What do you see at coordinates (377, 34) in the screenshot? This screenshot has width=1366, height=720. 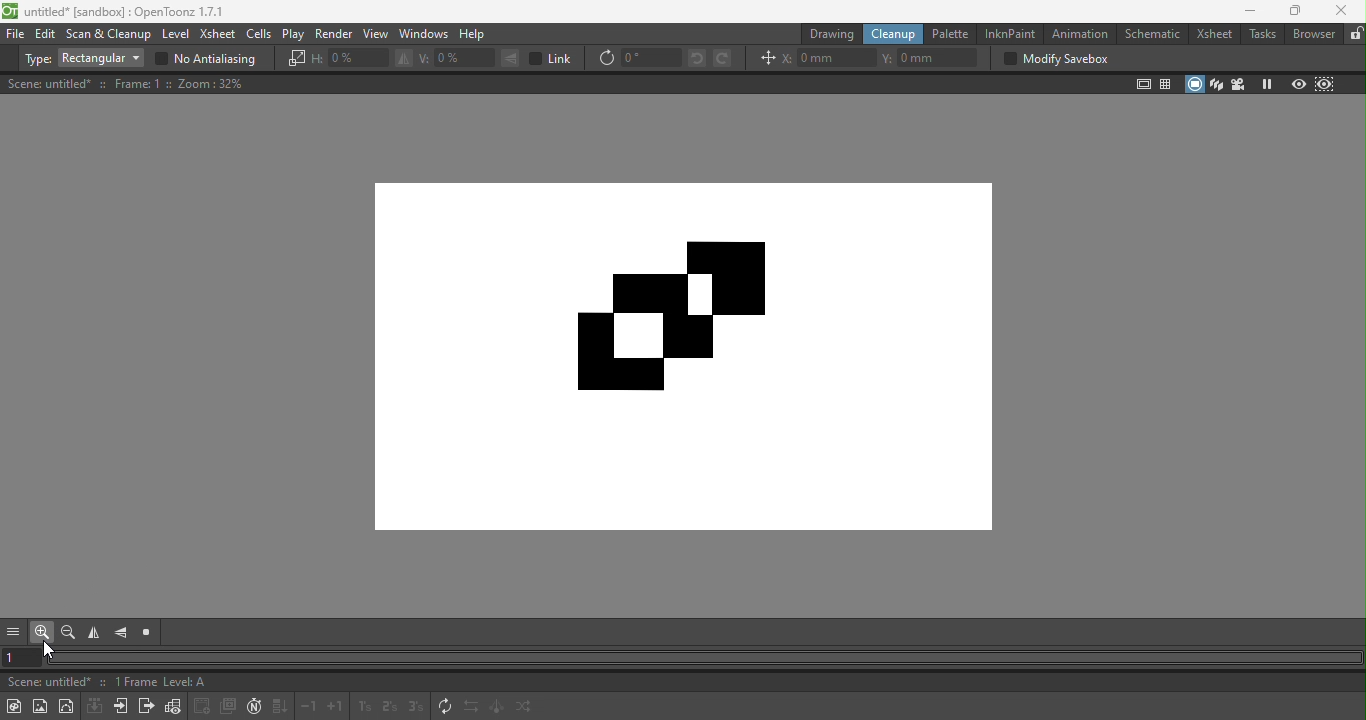 I see `View` at bounding box center [377, 34].